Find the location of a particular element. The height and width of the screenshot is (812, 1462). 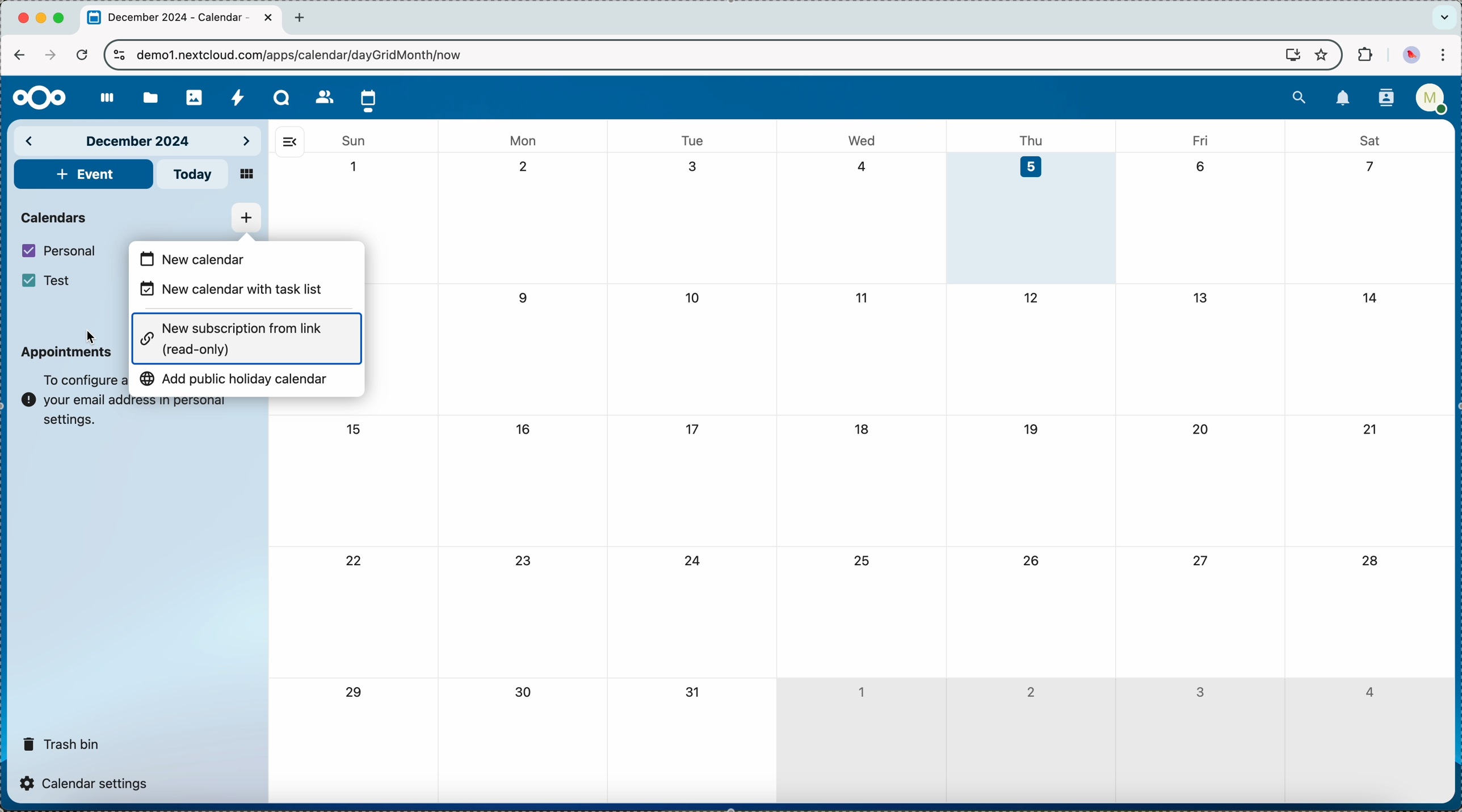

add event is located at coordinates (83, 174).